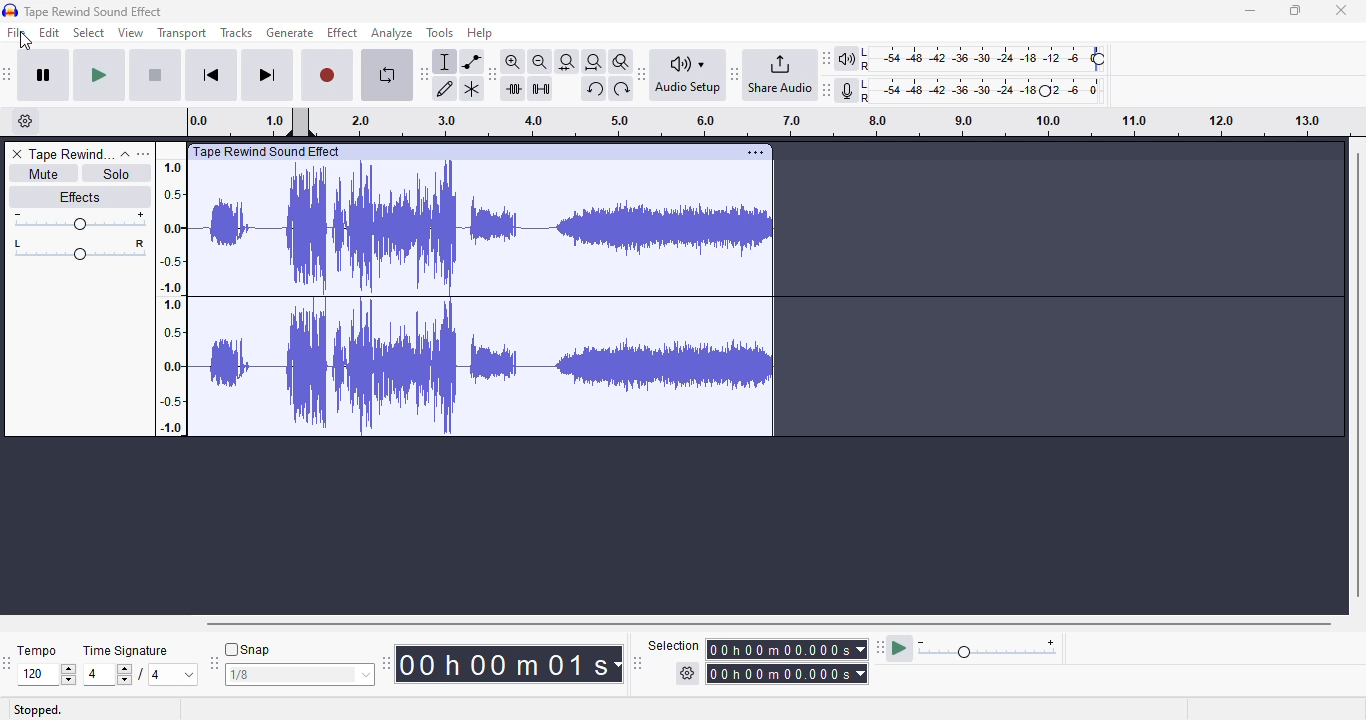 The image size is (1366, 720). Describe the element at coordinates (11, 10) in the screenshot. I see `logo` at that location.